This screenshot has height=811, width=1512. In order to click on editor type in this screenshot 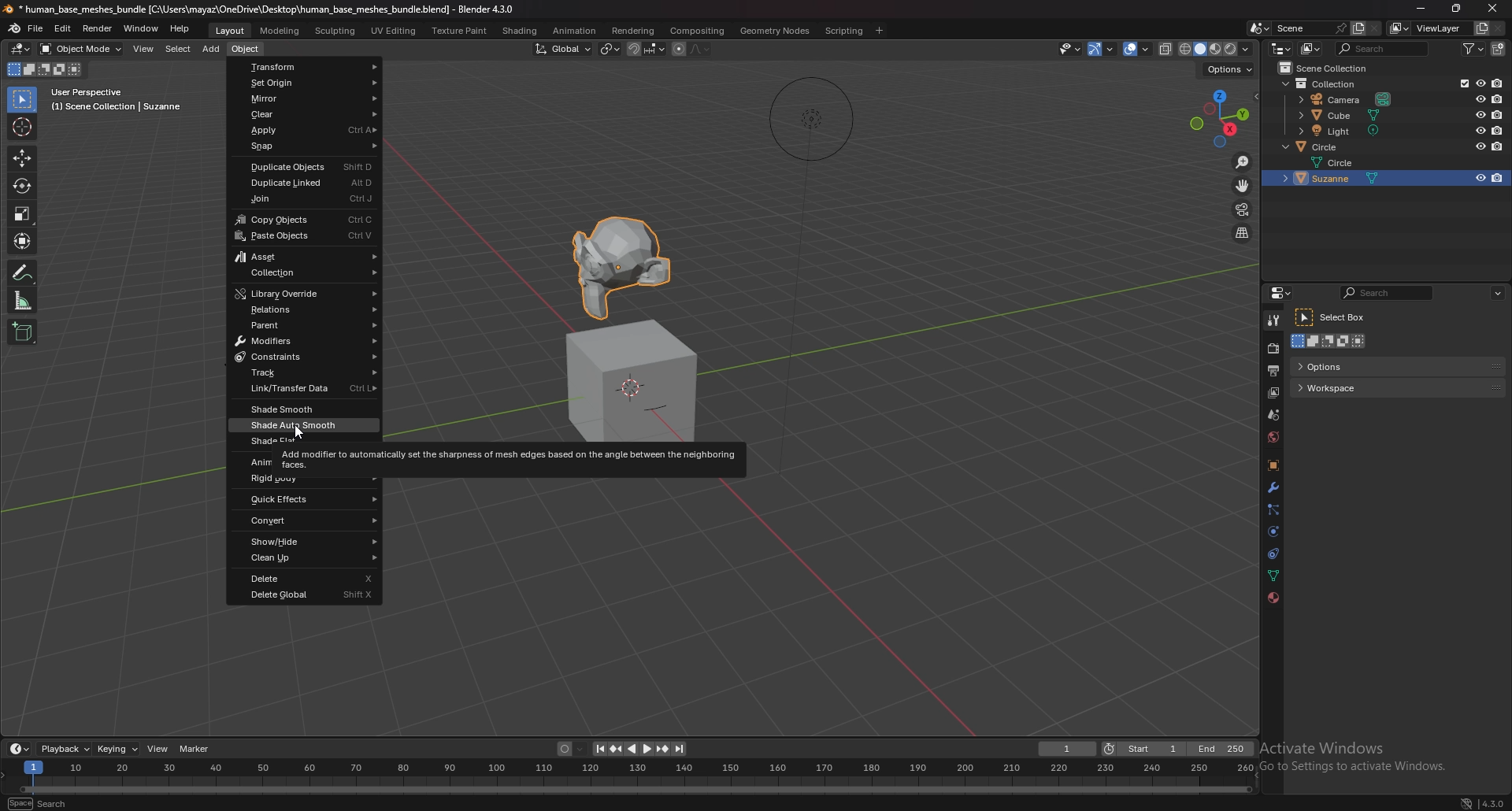, I will do `click(21, 49)`.